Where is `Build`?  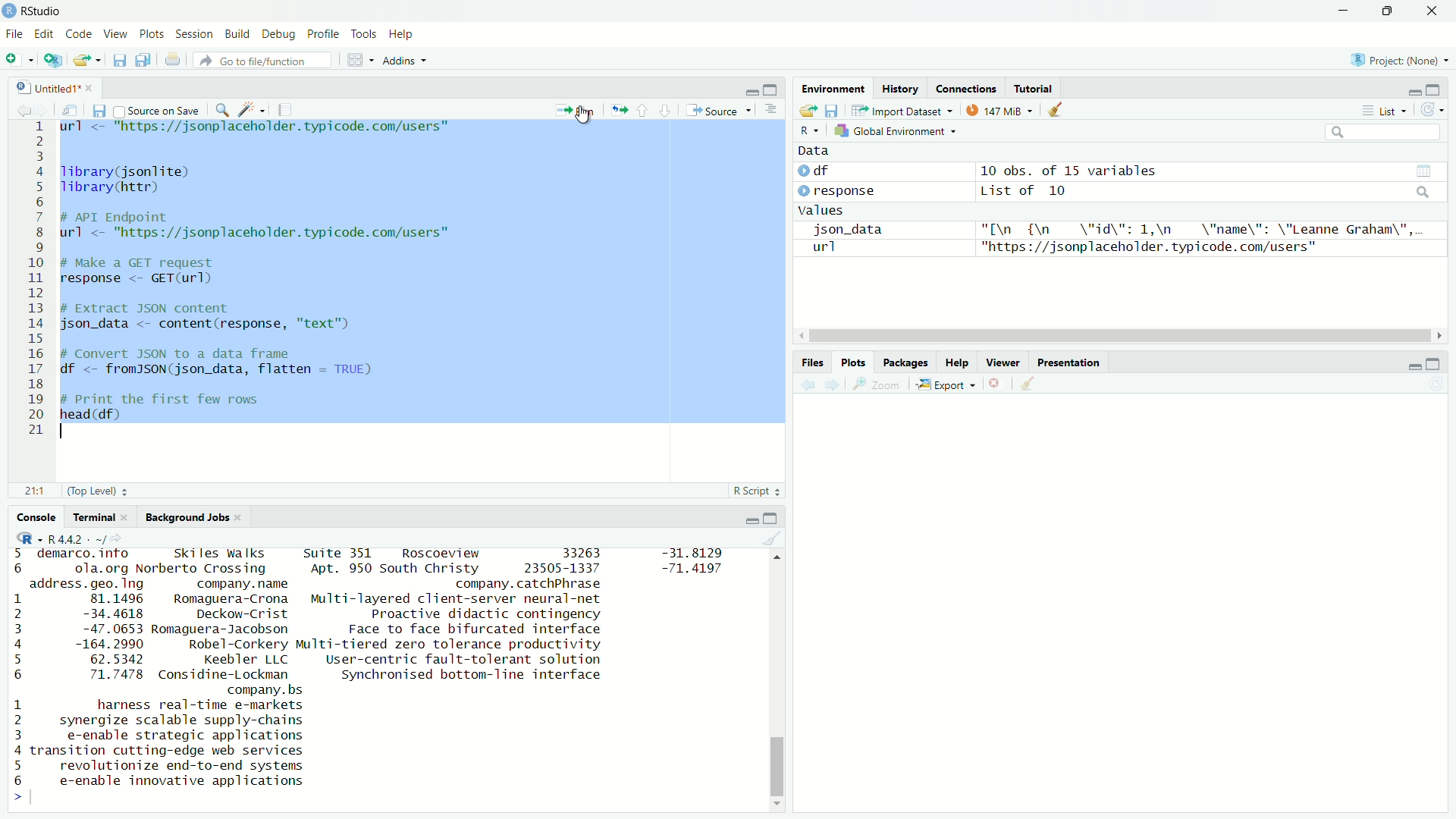 Build is located at coordinates (237, 35).